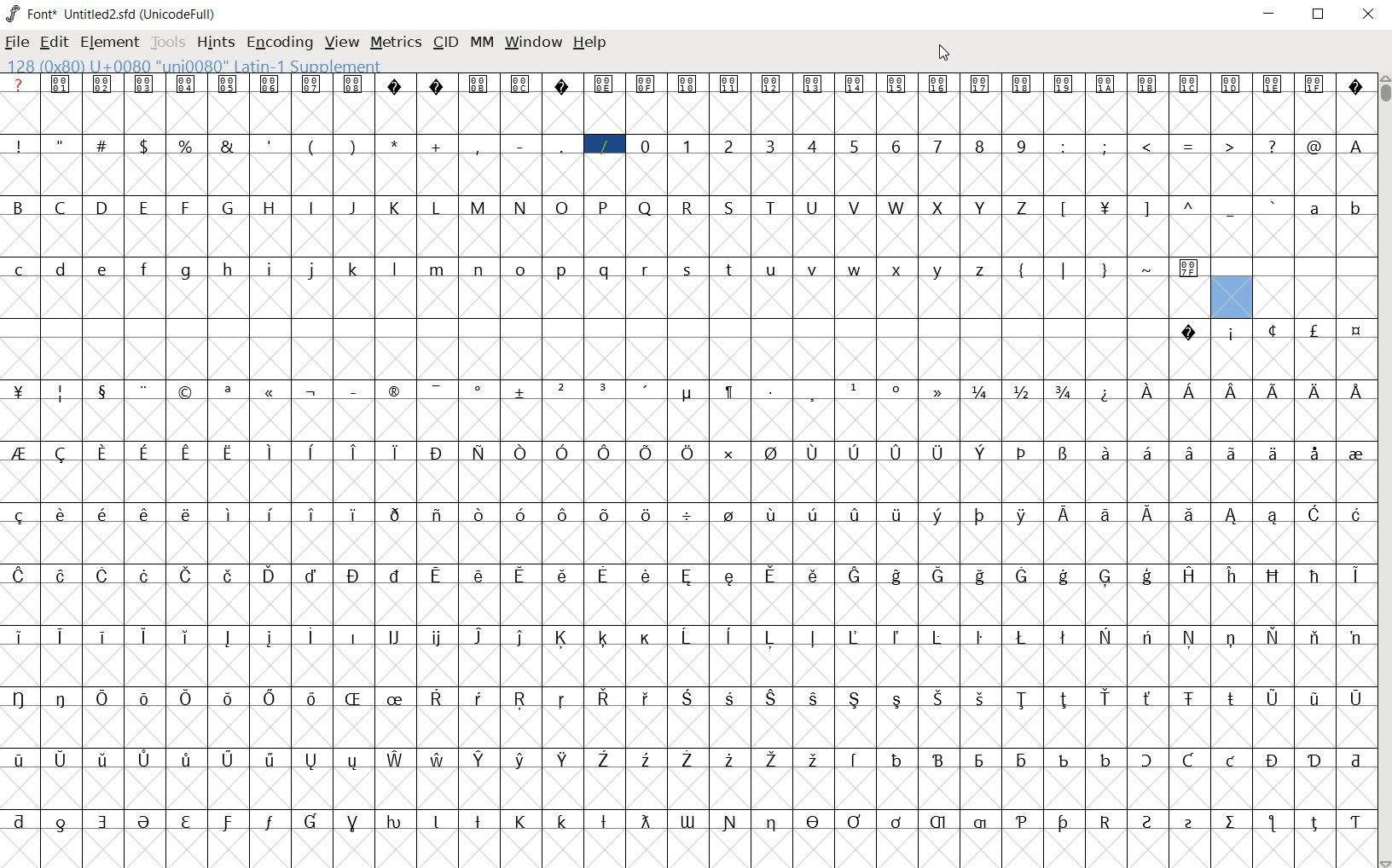  I want to click on glyph, so click(896, 147).